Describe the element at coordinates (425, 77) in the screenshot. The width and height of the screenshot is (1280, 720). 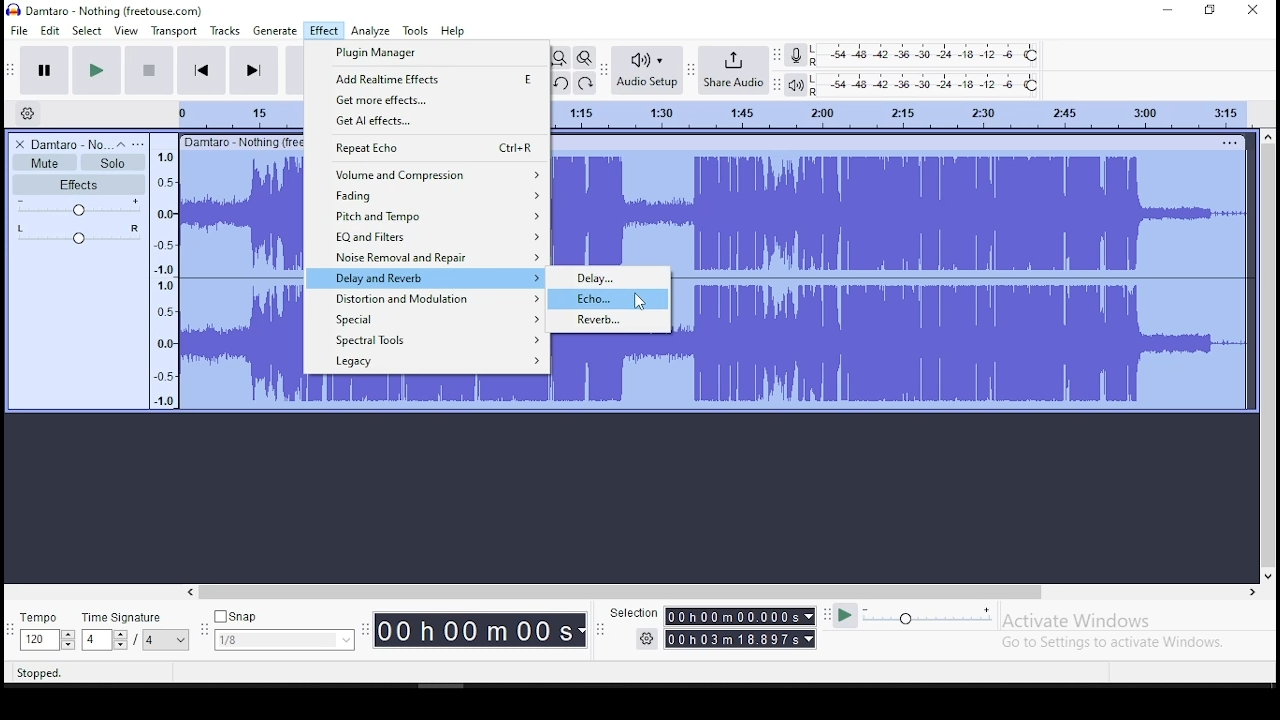
I see `add realtime effects` at that location.